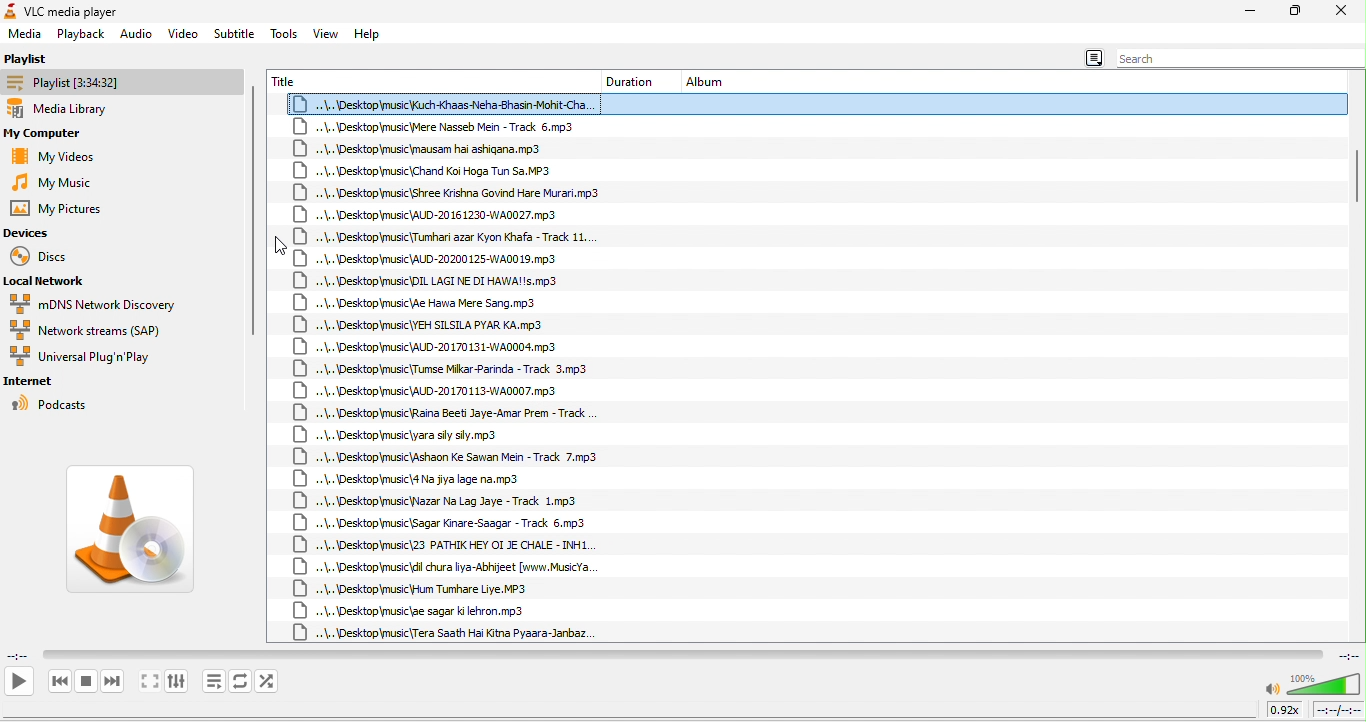  What do you see at coordinates (711, 81) in the screenshot?
I see `album` at bounding box center [711, 81].